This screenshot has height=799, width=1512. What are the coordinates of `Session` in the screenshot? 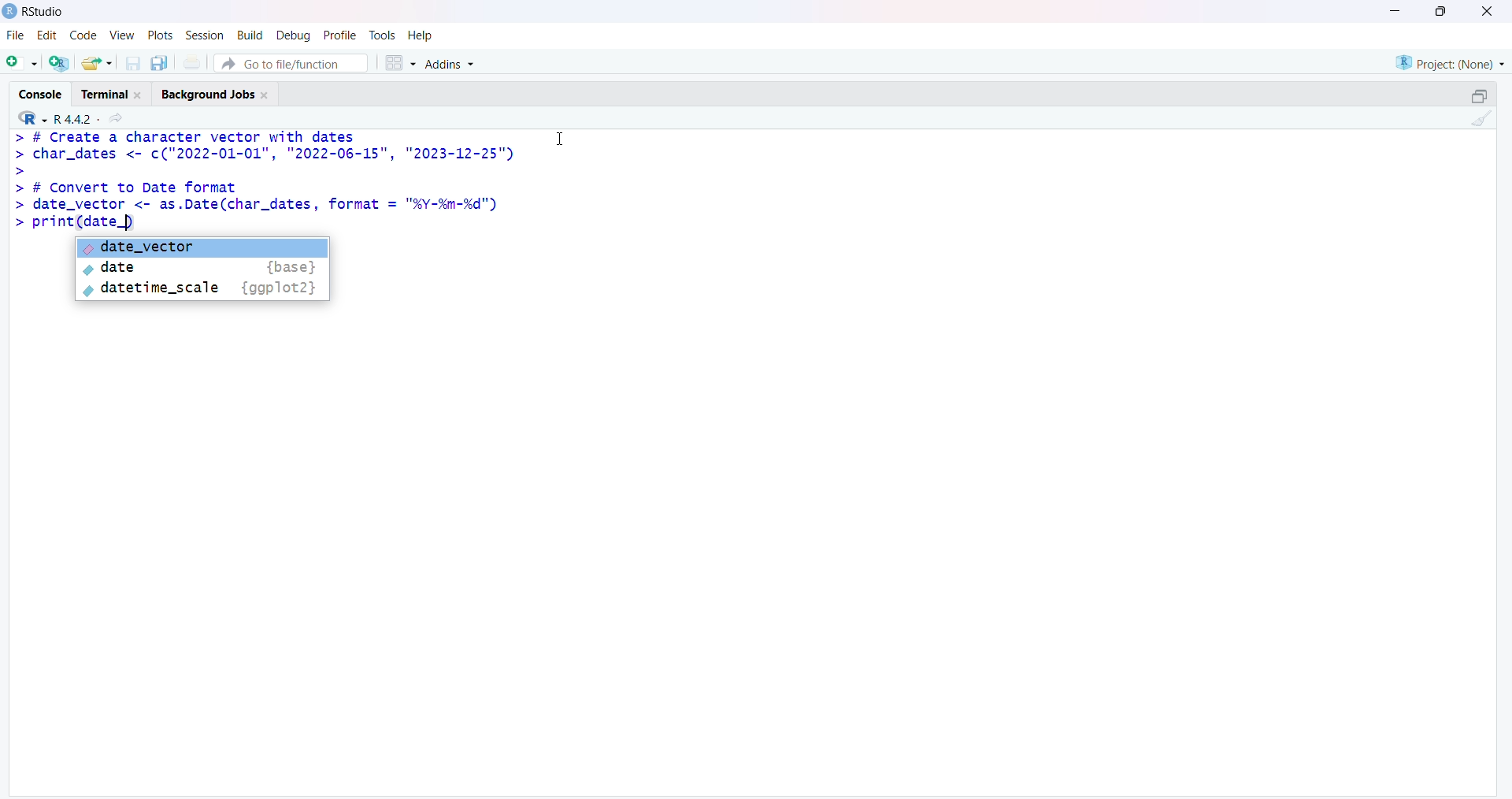 It's located at (202, 36).